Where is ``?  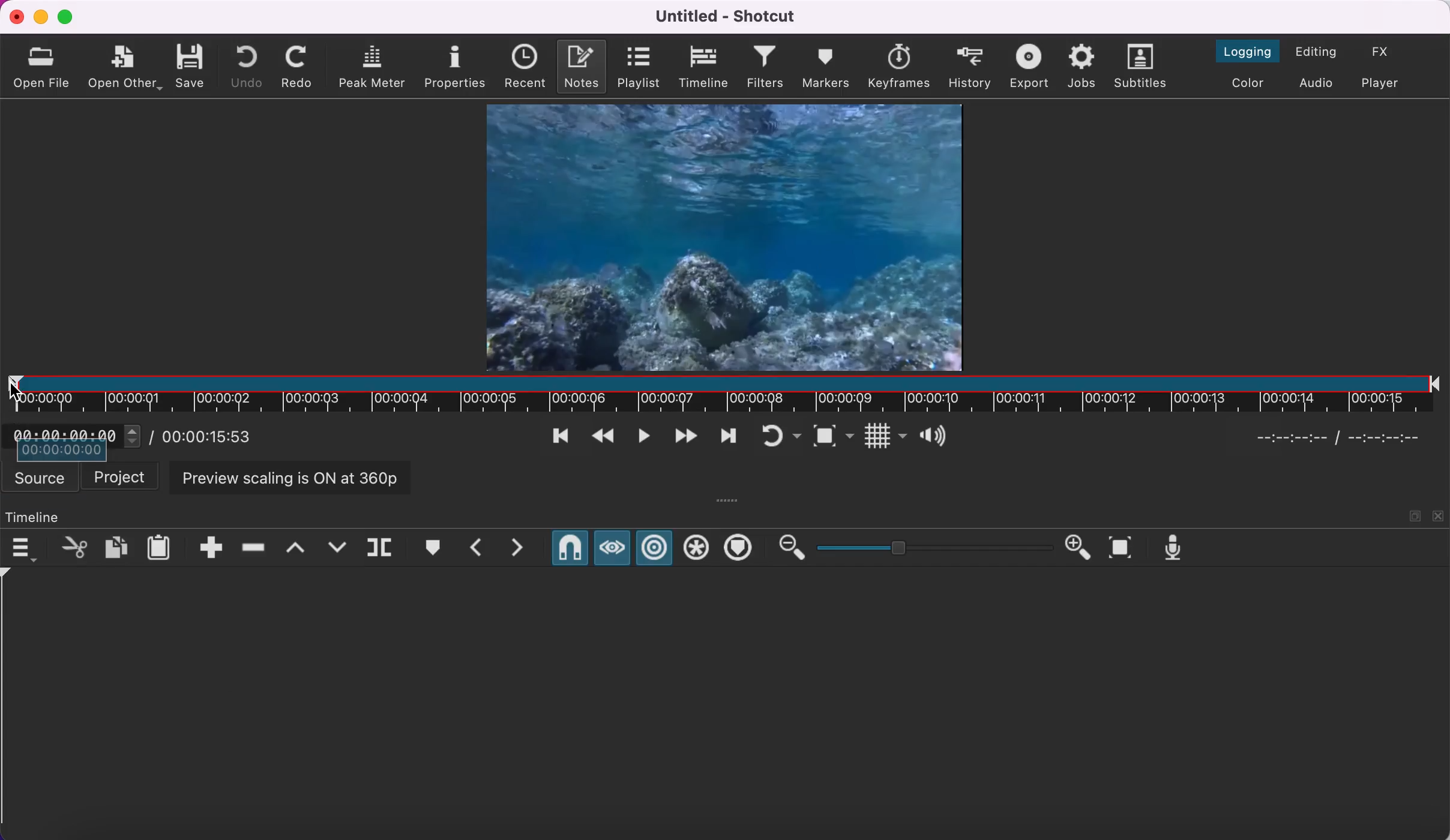  is located at coordinates (775, 436).